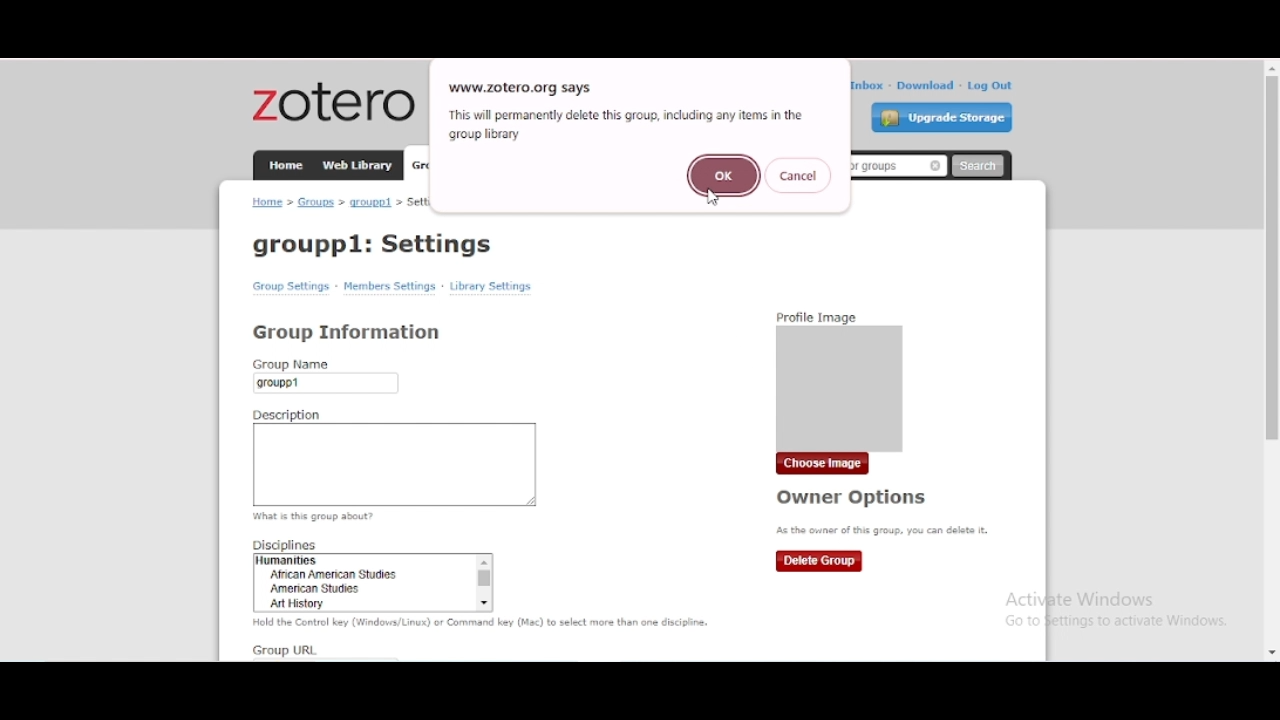 Image resolution: width=1280 pixels, height=720 pixels. I want to click on home, so click(286, 165).